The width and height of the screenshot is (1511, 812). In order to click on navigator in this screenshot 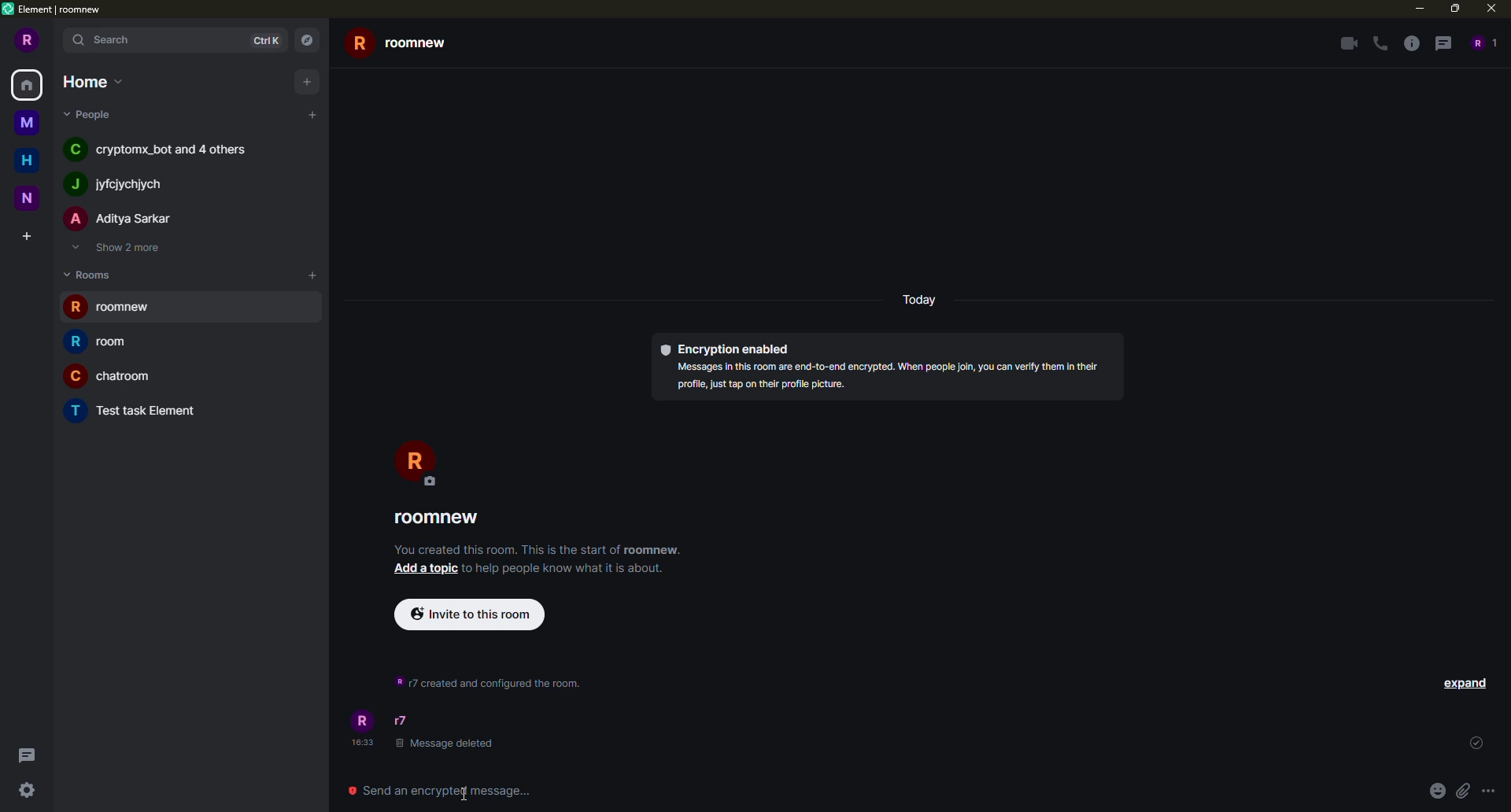, I will do `click(307, 39)`.